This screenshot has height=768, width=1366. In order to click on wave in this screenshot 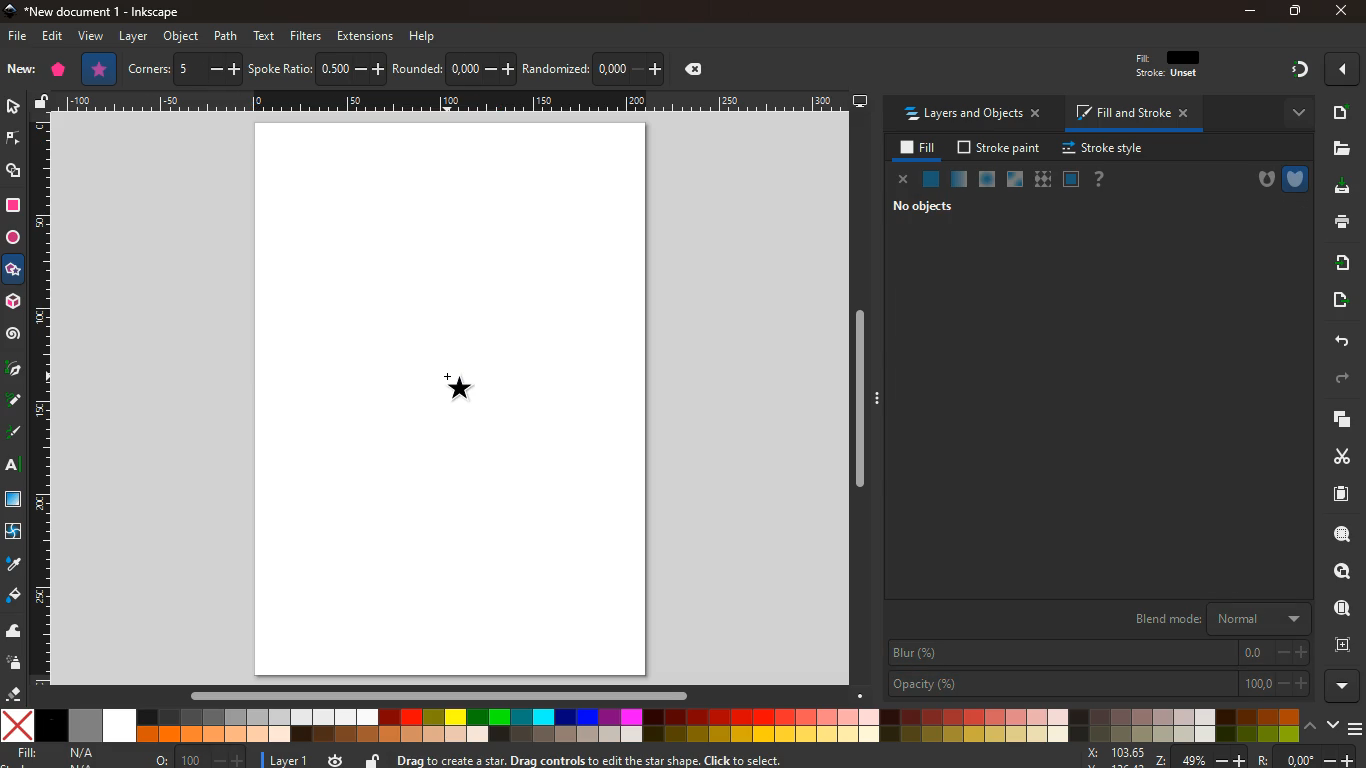, I will do `click(15, 633)`.